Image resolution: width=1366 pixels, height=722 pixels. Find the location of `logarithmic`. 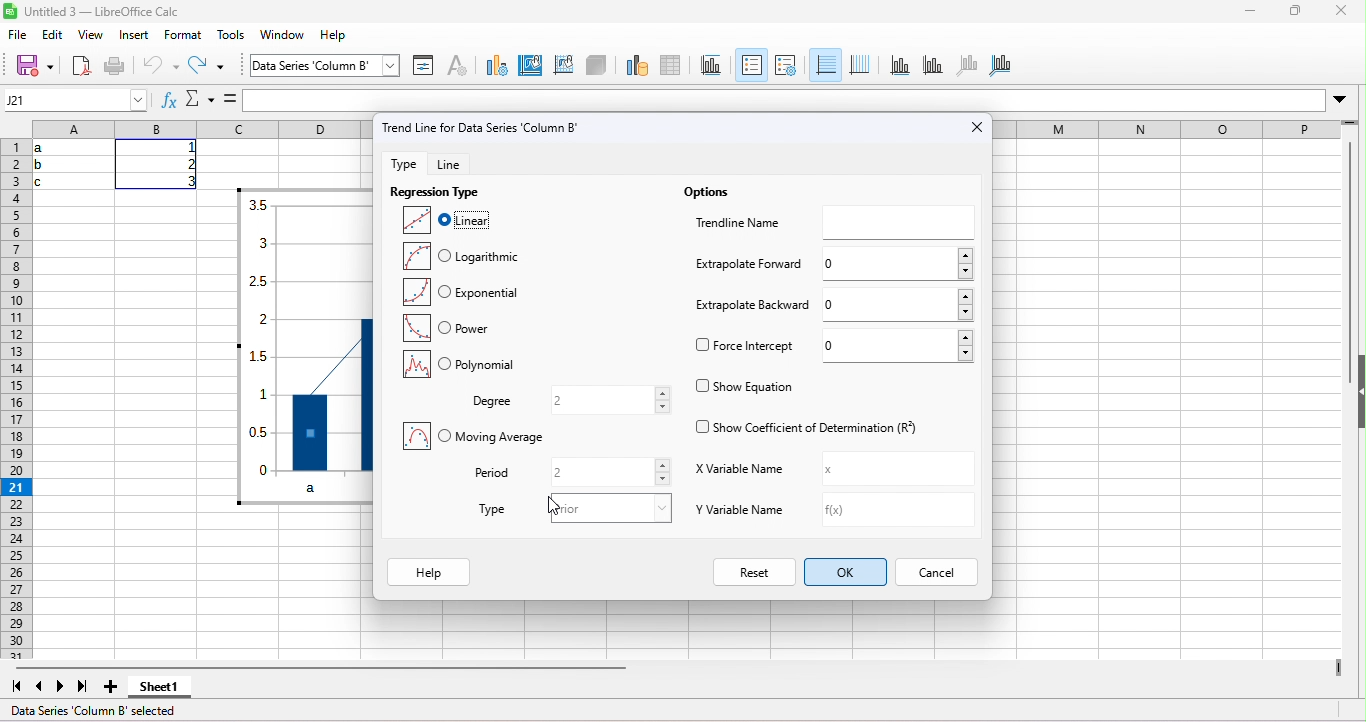

logarithmic is located at coordinates (461, 256).